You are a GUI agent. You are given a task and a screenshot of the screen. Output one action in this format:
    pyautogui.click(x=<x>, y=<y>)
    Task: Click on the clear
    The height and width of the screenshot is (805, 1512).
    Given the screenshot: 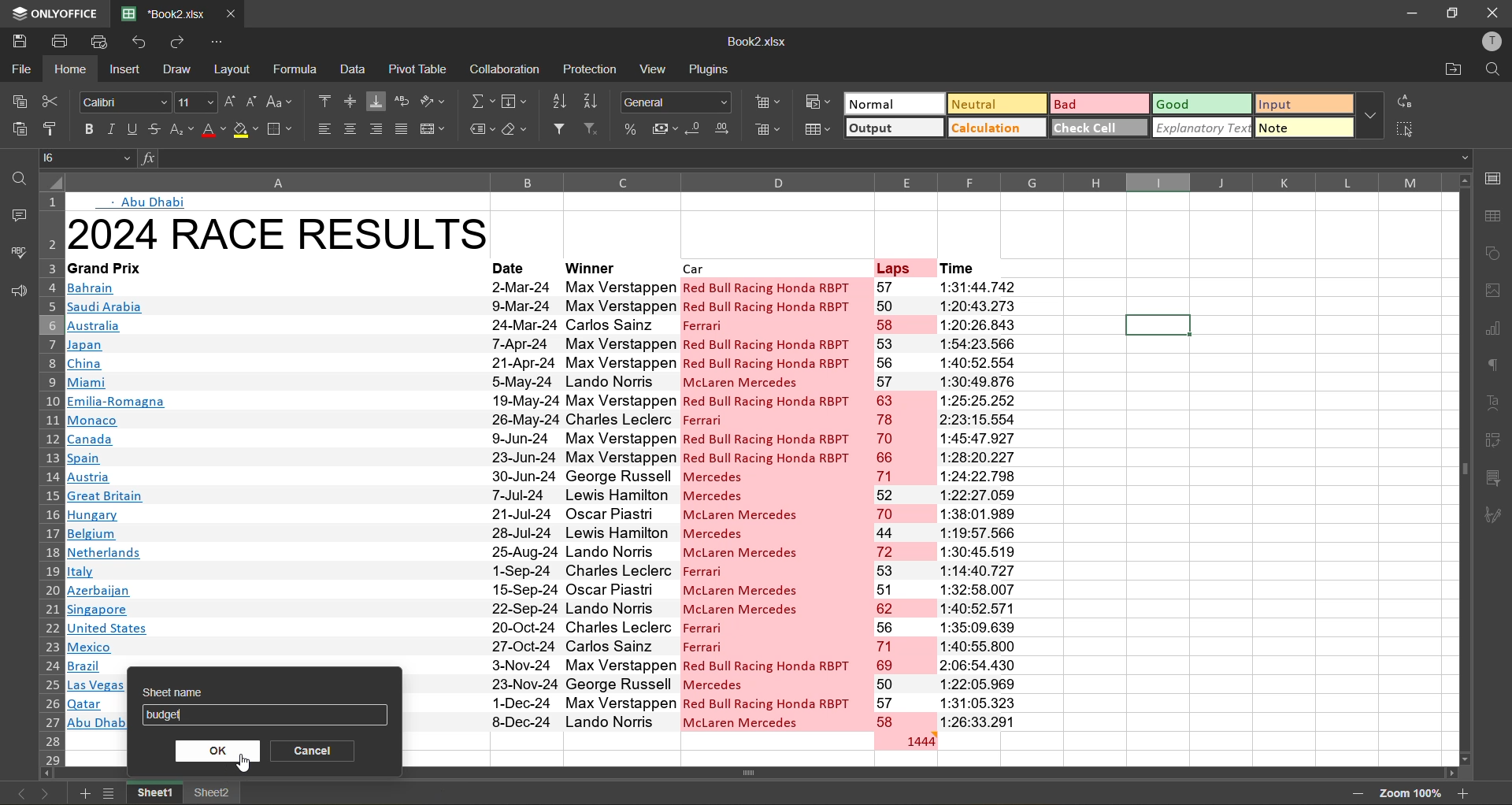 What is the action you would take?
    pyautogui.click(x=516, y=131)
    